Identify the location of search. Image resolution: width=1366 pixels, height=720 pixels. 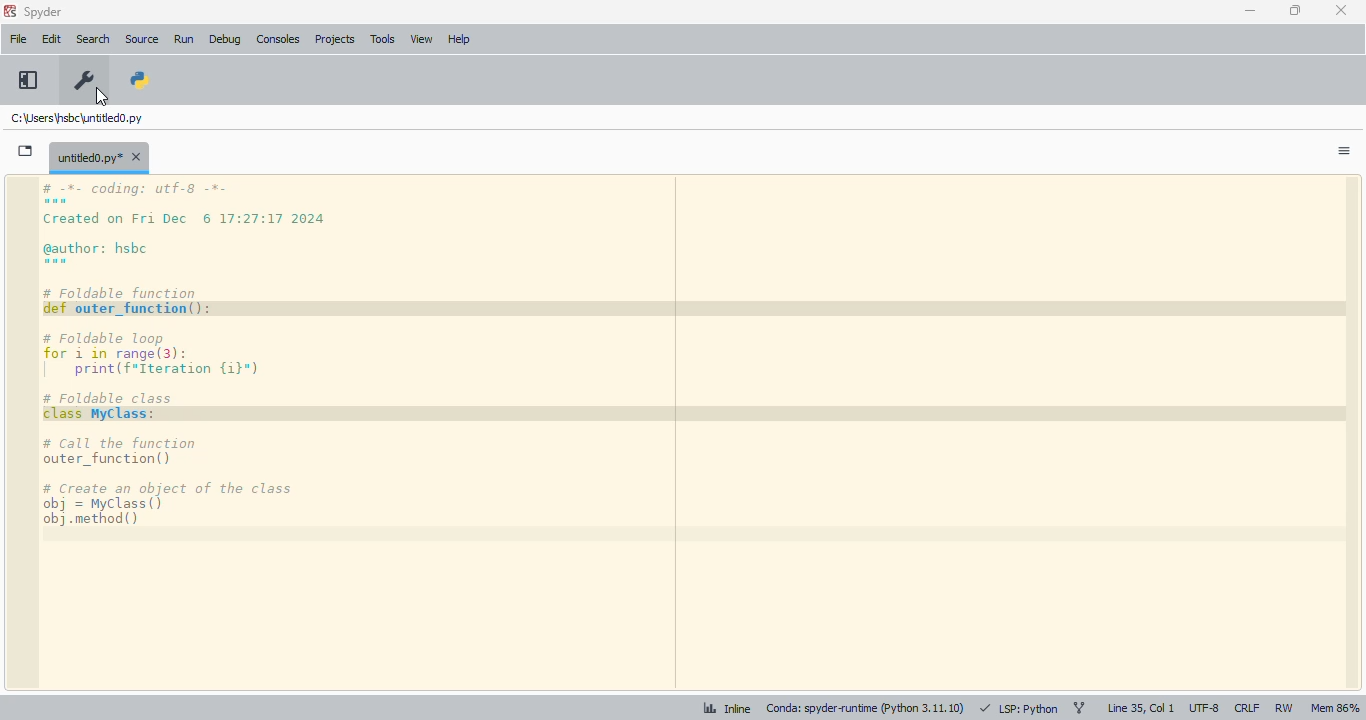
(93, 39).